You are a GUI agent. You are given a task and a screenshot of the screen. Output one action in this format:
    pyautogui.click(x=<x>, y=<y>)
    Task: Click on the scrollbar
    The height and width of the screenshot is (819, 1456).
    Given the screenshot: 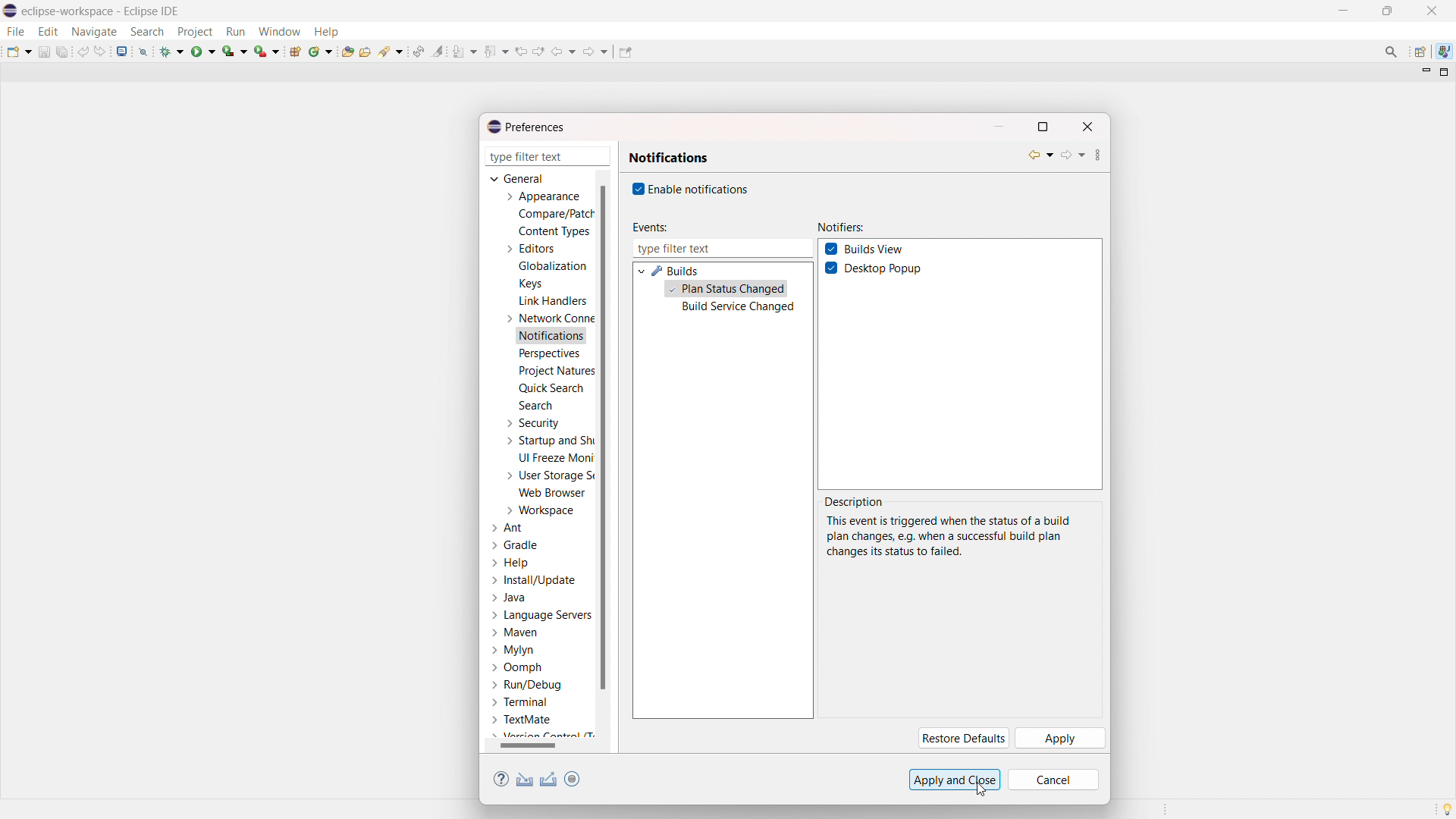 What is the action you would take?
    pyautogui.click(x=538, y=745)
    